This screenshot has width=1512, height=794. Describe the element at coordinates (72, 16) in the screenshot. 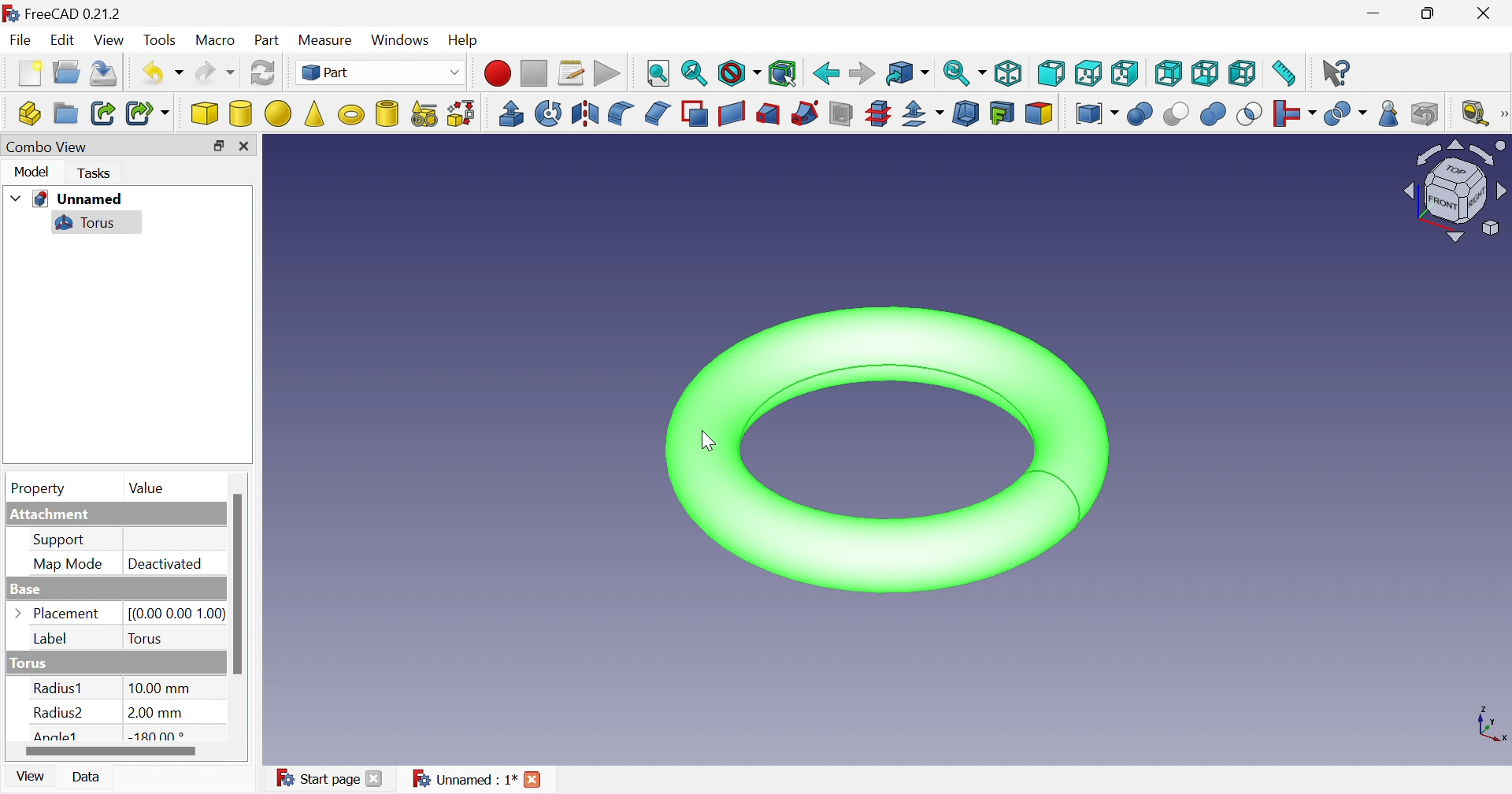

I see `FreeCAD 0.21.2` at that location.